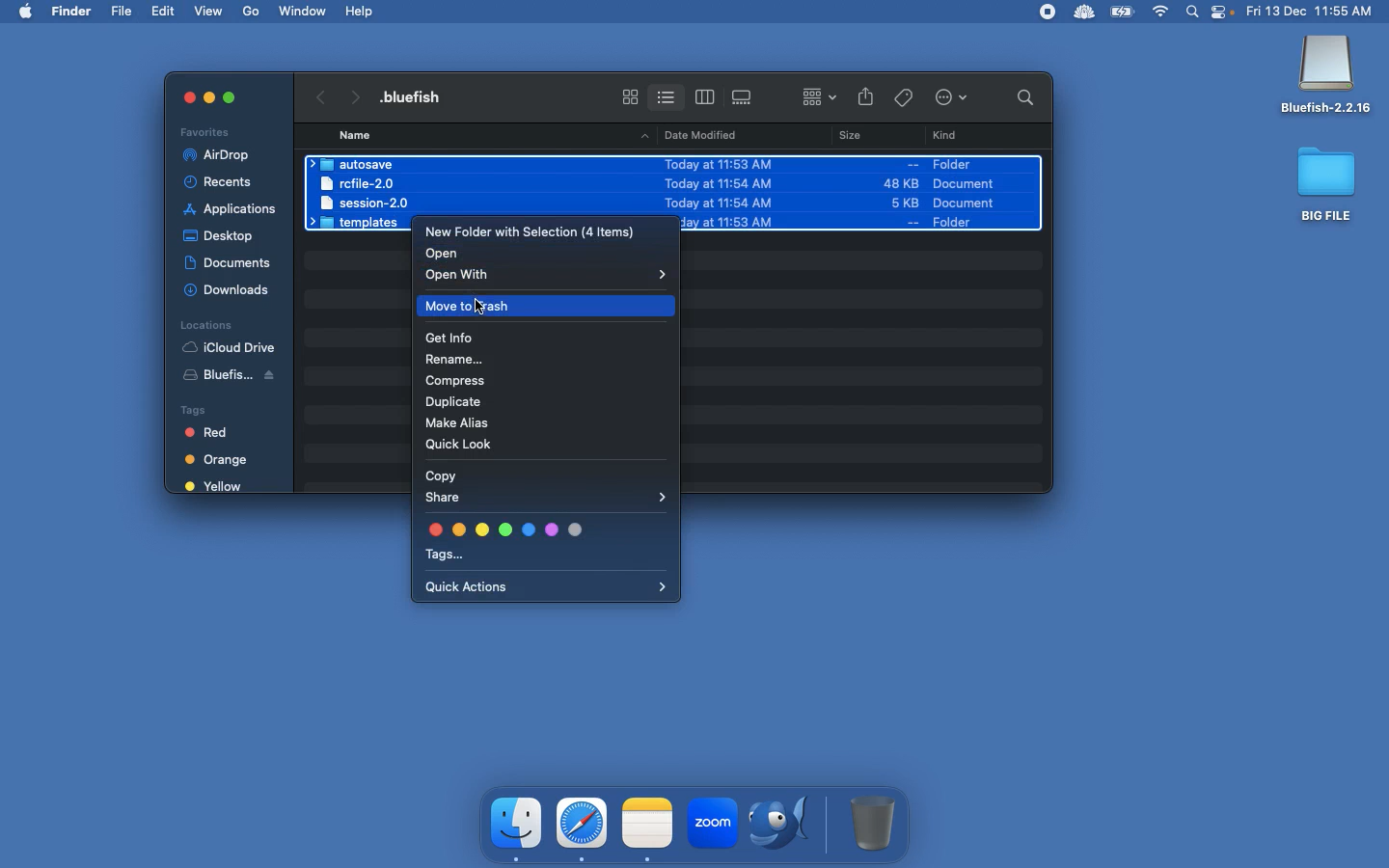 The height and width of the screenshot is (868, 1389). Describe the element at coordinates (518, 824) in the screenshot. I see `finder` at that location.